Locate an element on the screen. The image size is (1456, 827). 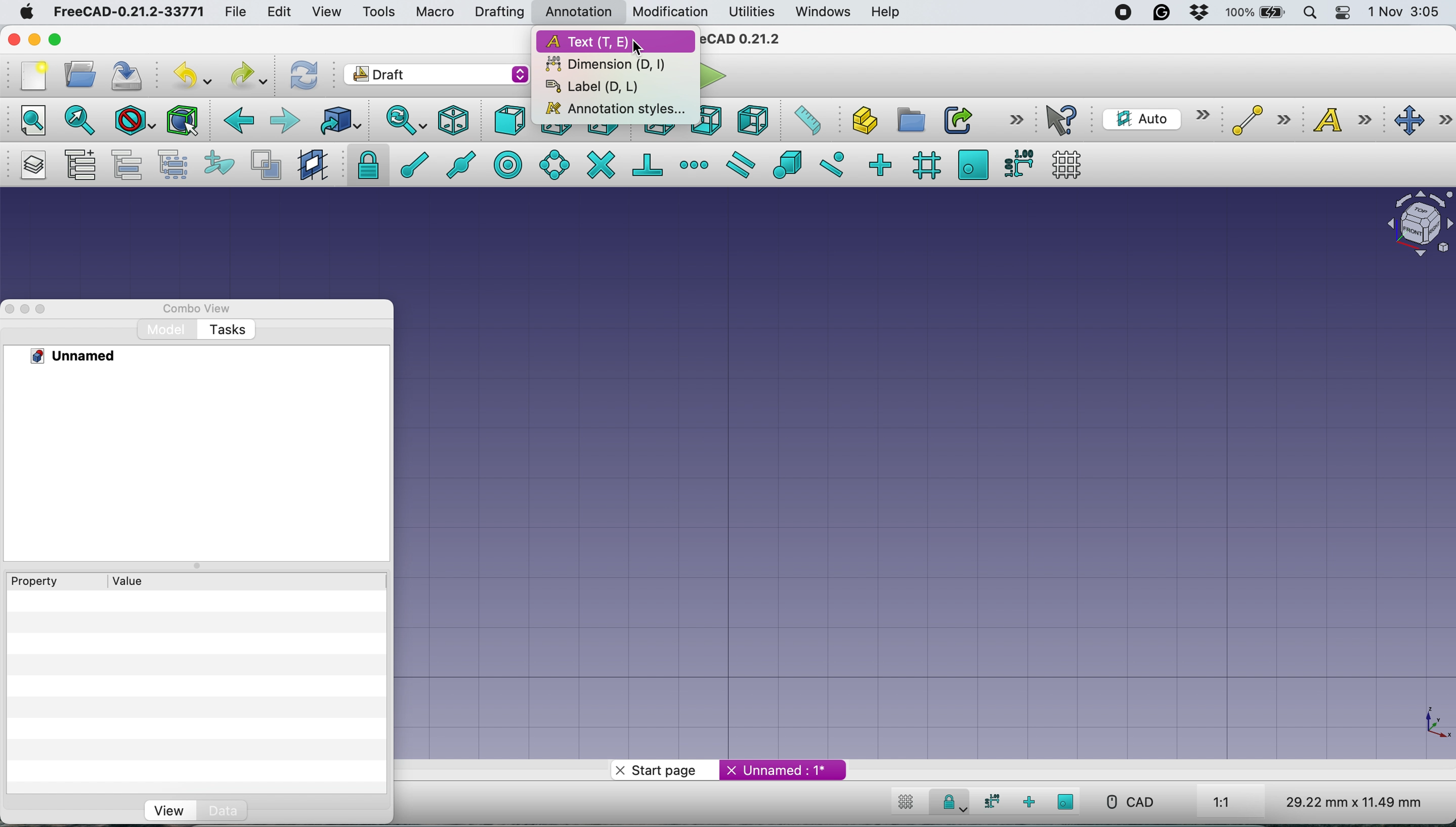
measure distance is located at coordinates (803, 120).